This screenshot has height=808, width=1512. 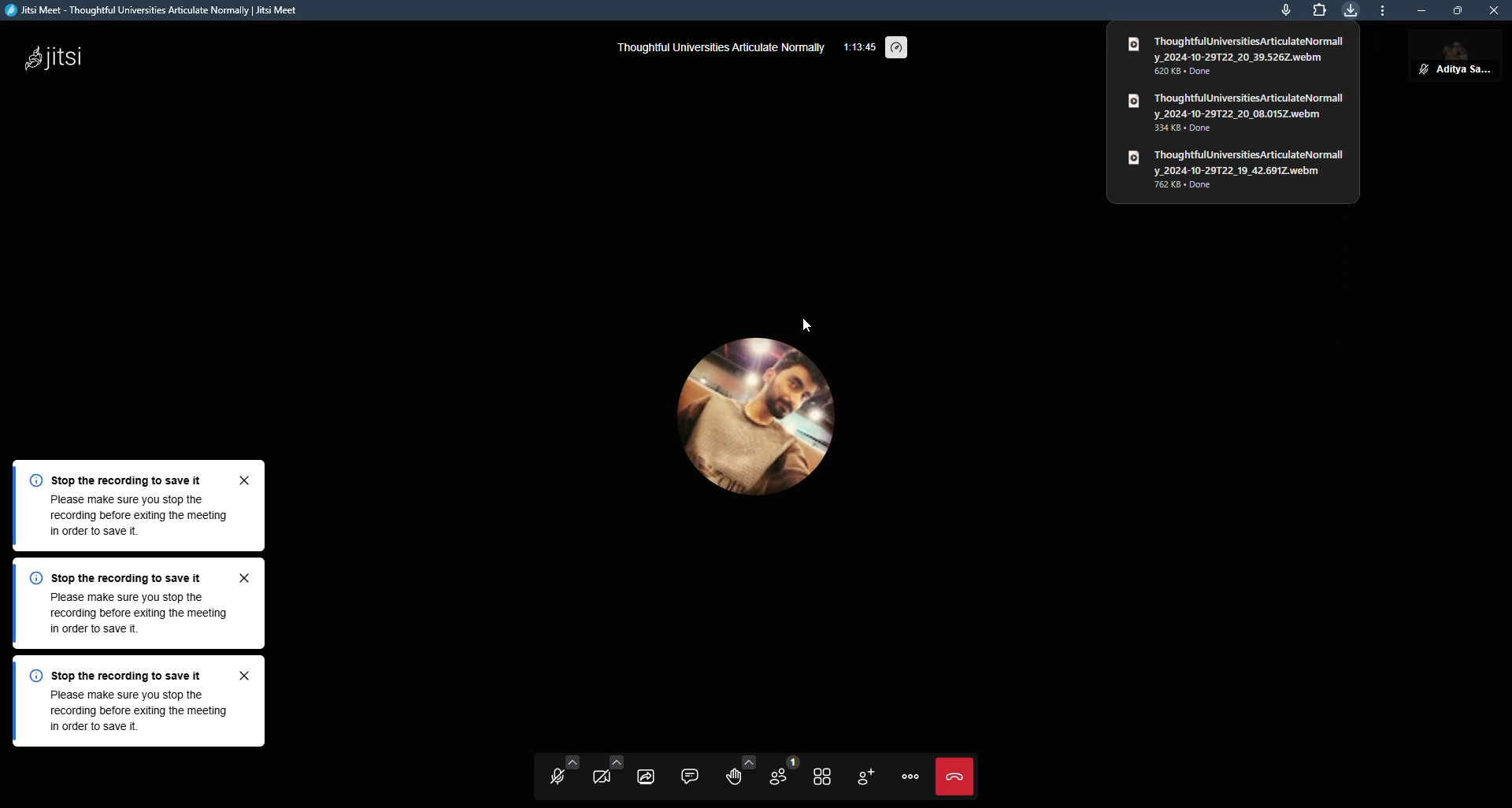 What do you see at coordinates (247, 576) in the screenshot?
I see `close` at bounding box center [247, 576].